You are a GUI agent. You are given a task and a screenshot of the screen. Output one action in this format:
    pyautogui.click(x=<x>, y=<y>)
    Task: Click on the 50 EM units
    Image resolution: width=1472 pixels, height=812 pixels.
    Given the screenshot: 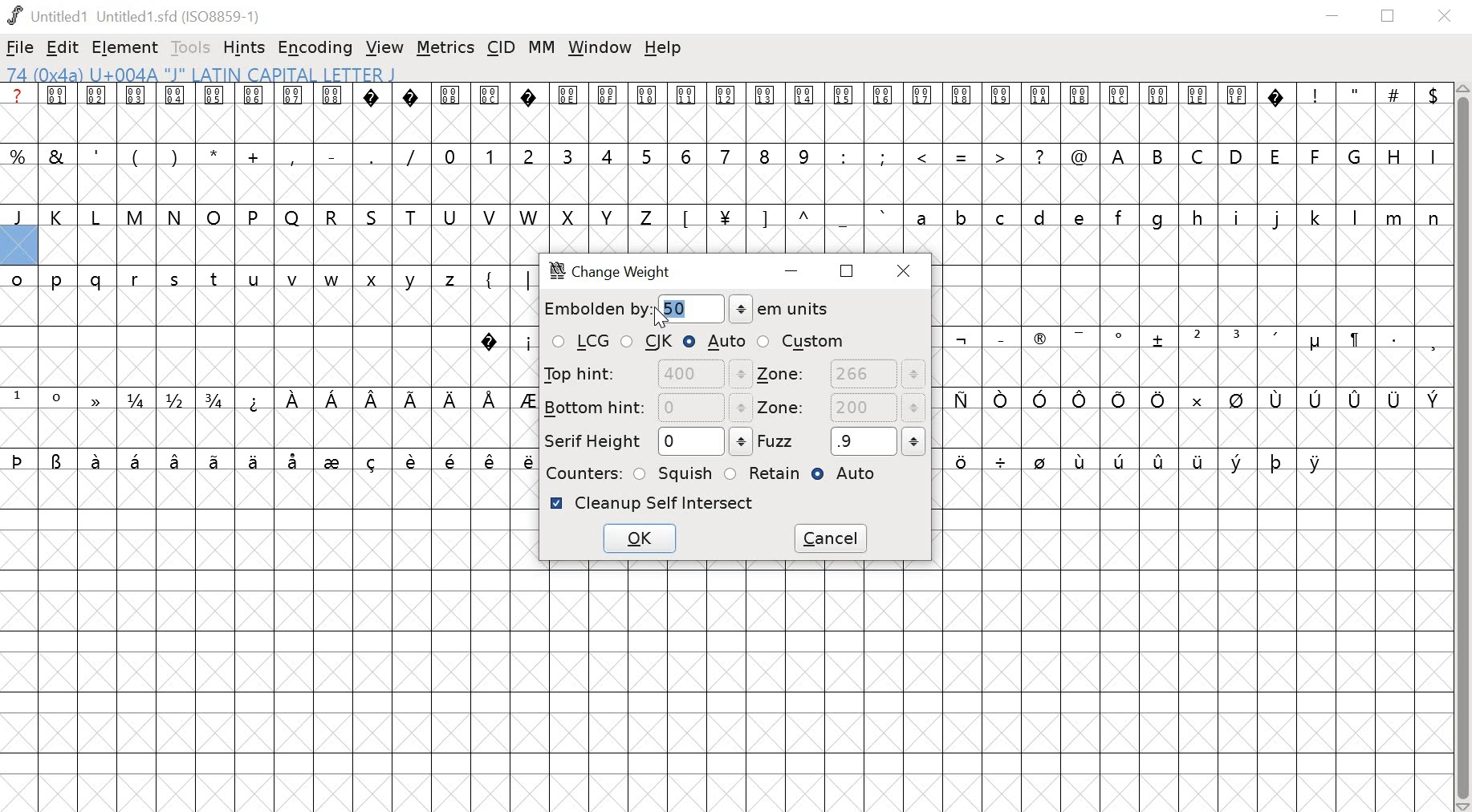 What is the action you would take?
    pyautogui.click(x=681, y=307)
    